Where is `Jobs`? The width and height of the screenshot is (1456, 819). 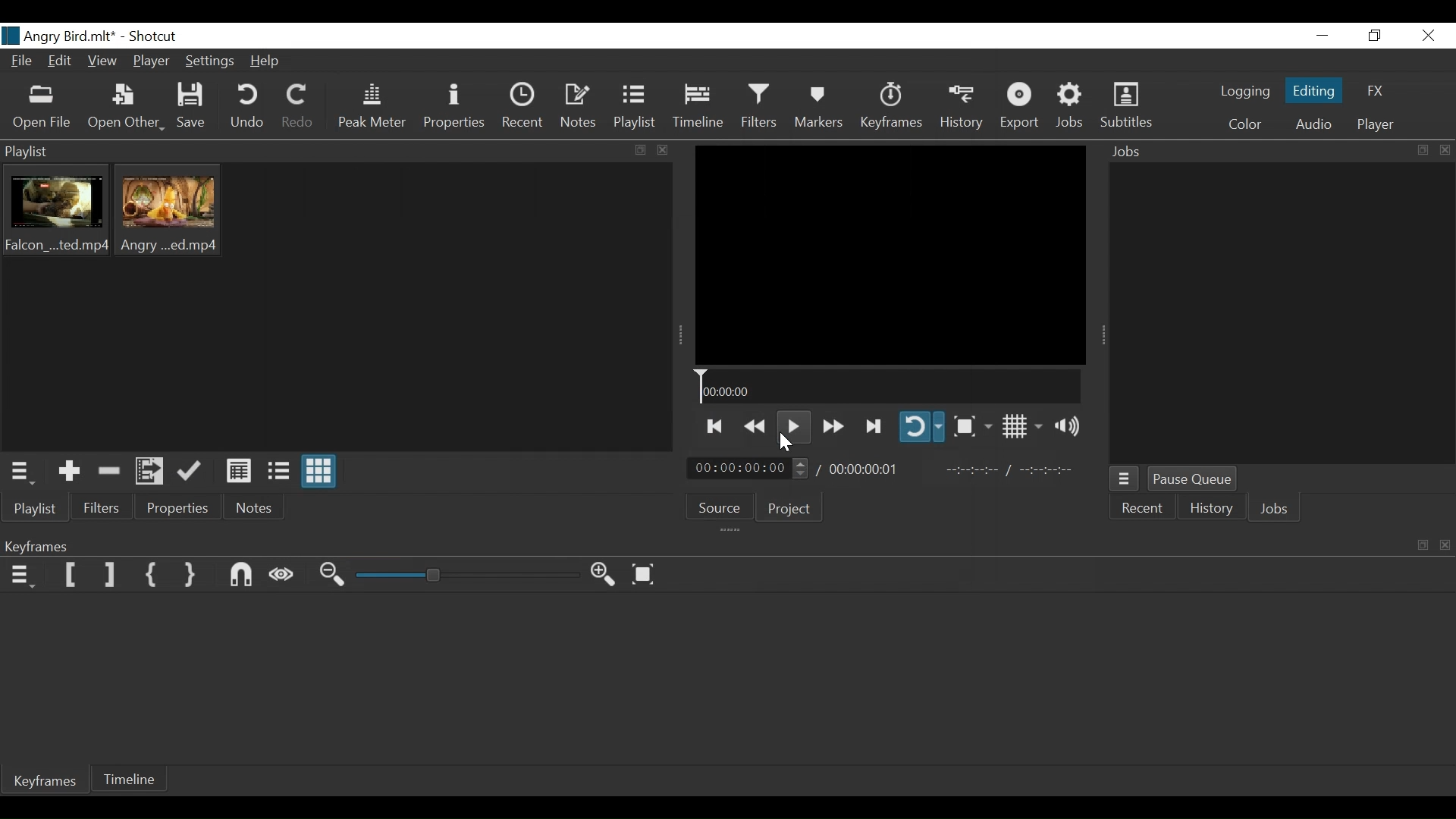 Jobs is located at coordinates (1276, 152).